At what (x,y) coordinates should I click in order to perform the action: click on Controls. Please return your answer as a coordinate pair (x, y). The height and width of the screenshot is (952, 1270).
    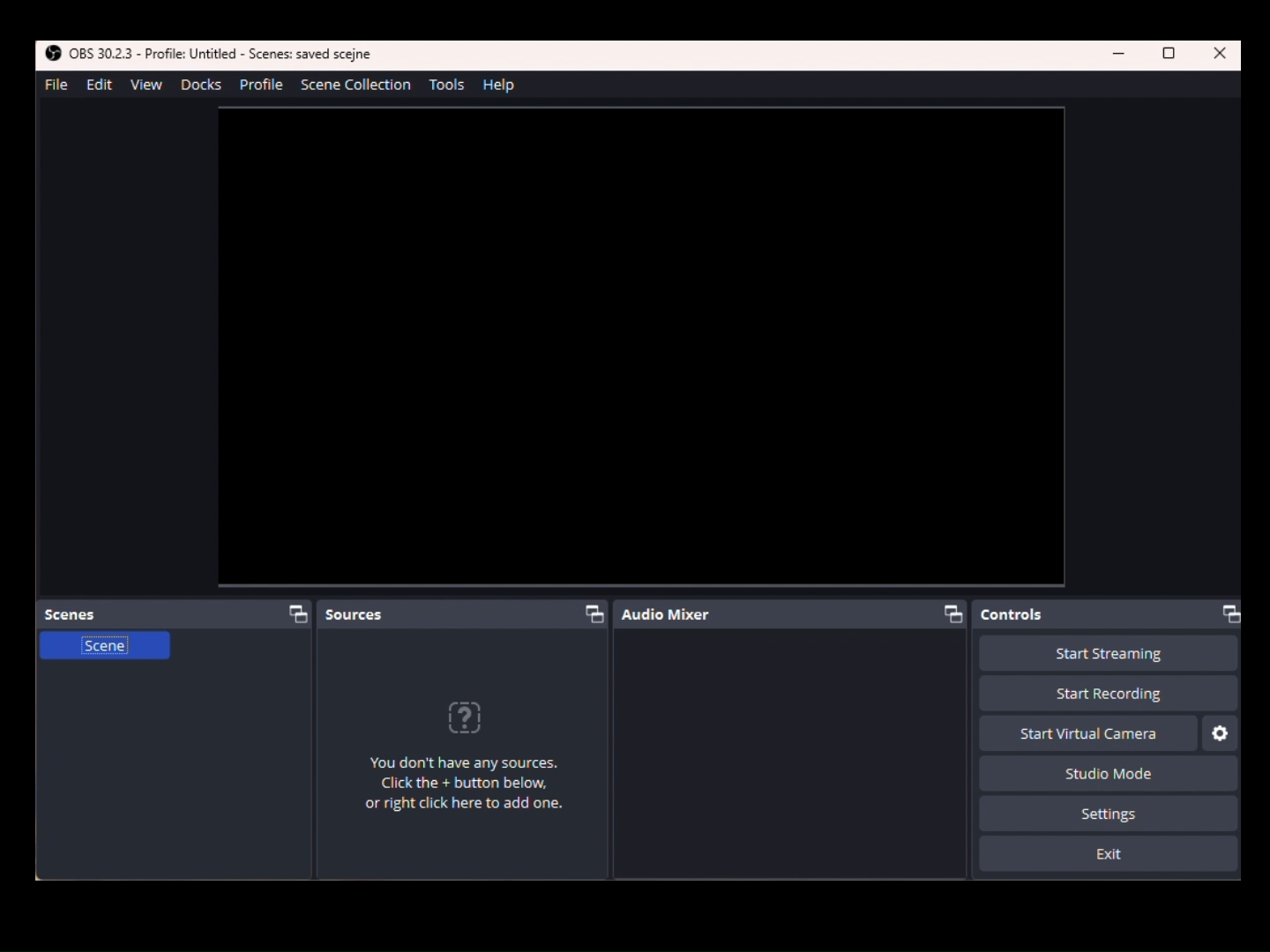
    Looking at the image, I should click on (1112, 614).